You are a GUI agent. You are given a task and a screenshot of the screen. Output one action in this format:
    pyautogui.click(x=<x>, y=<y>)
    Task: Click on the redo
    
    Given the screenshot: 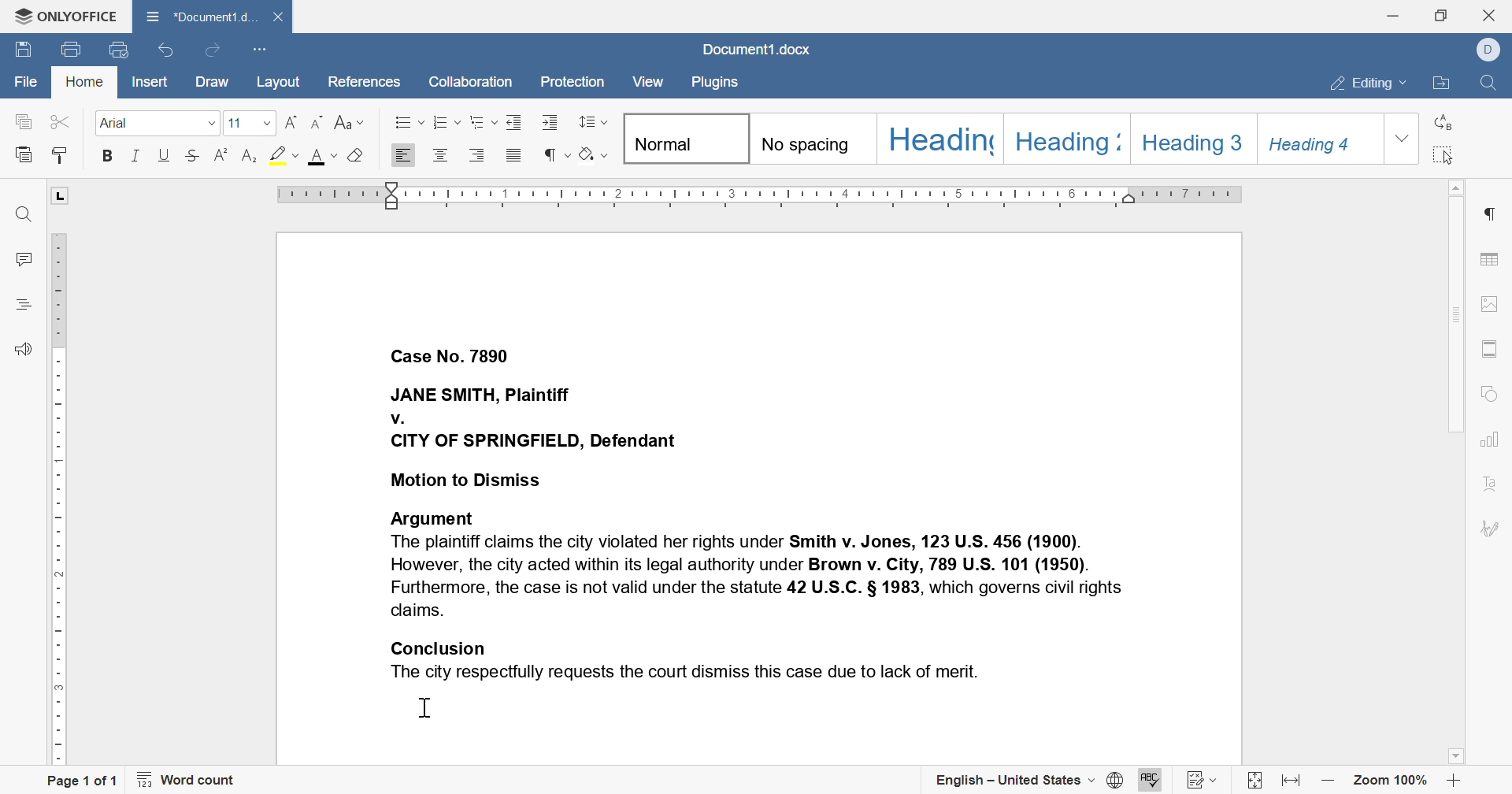 What is the action you would take?
    pyautogui.click(x=213, y=51)
    